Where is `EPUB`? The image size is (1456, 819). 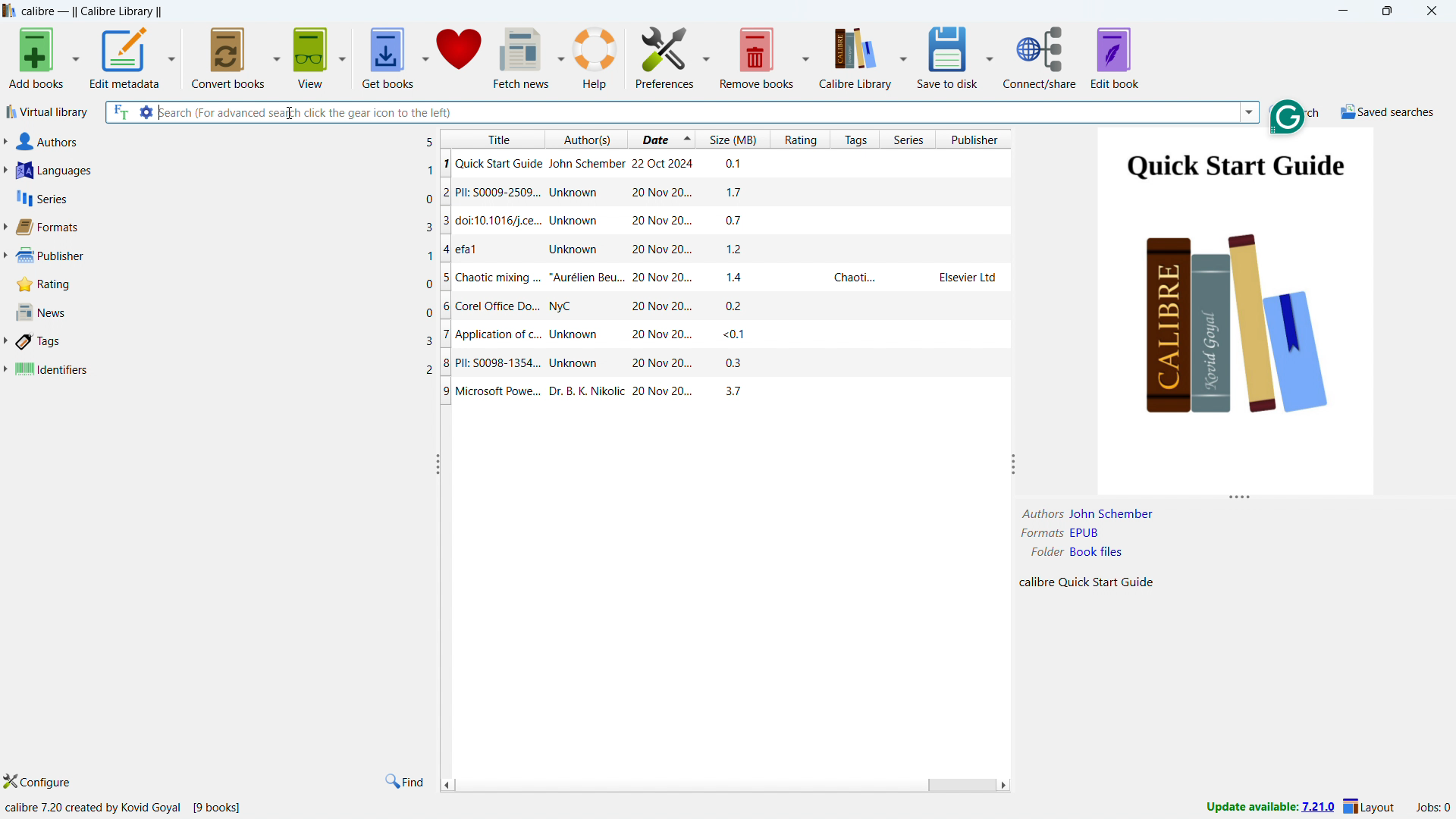 EPUB is located at coordinates (1097, 535).